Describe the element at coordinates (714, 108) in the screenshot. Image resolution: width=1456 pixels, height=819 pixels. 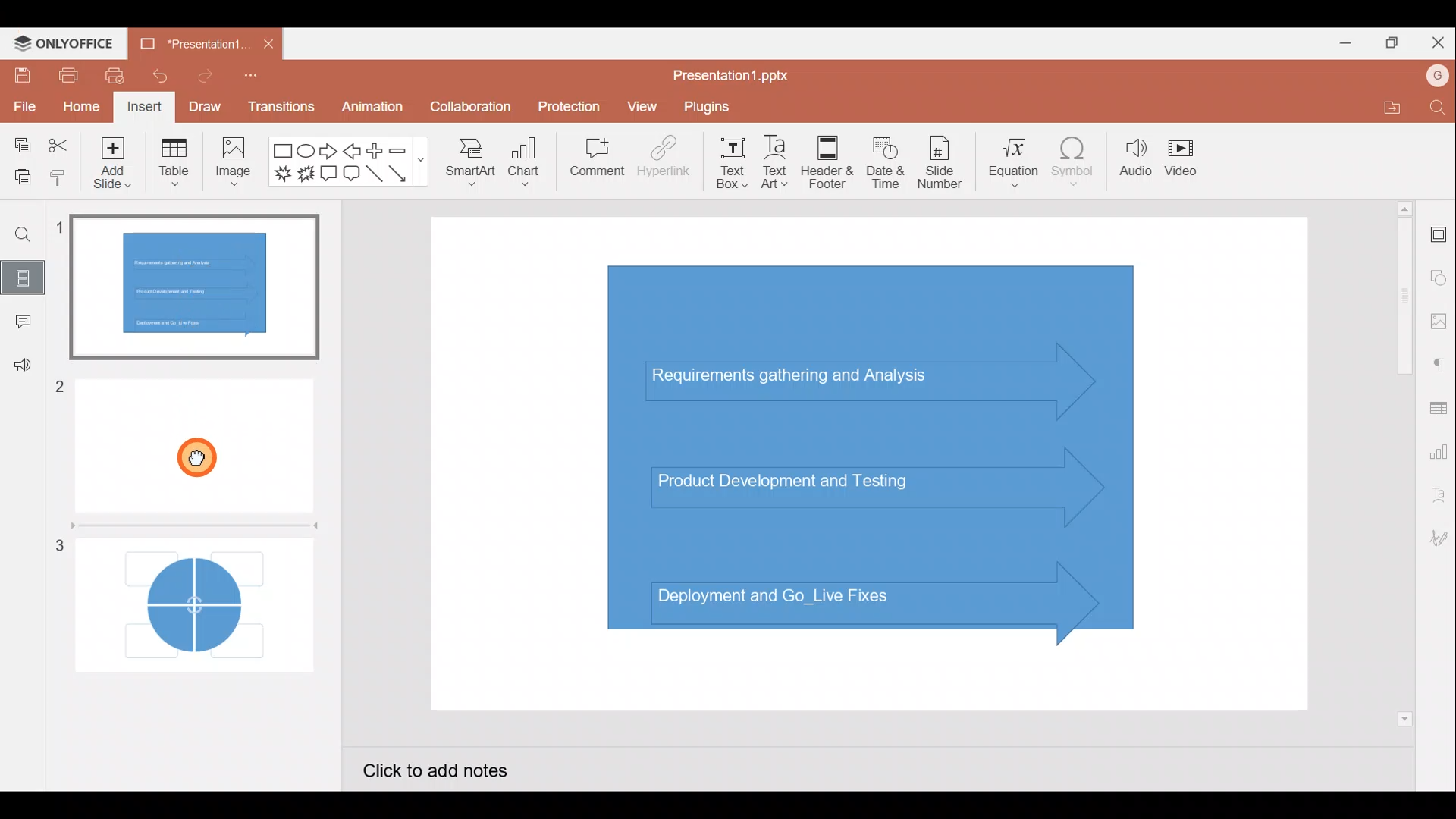
I see `Plugins` at that location.